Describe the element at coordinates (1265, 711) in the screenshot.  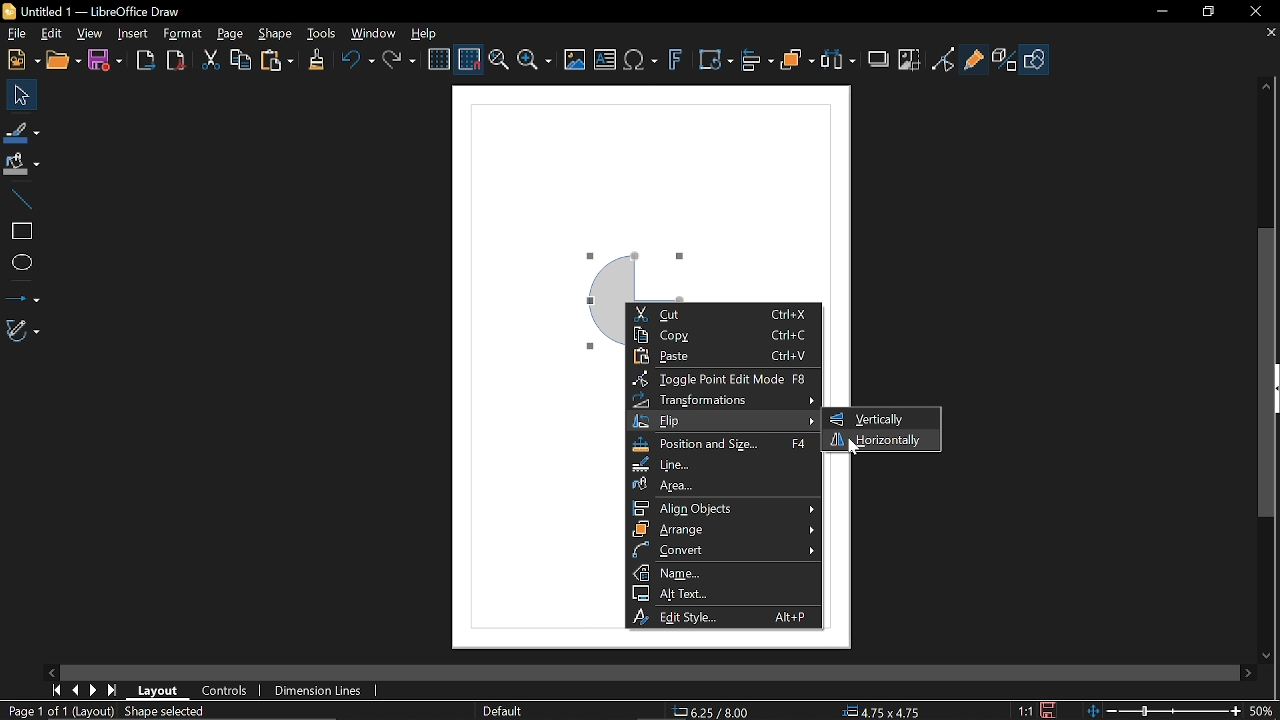
I see `Current zoom` at that location.